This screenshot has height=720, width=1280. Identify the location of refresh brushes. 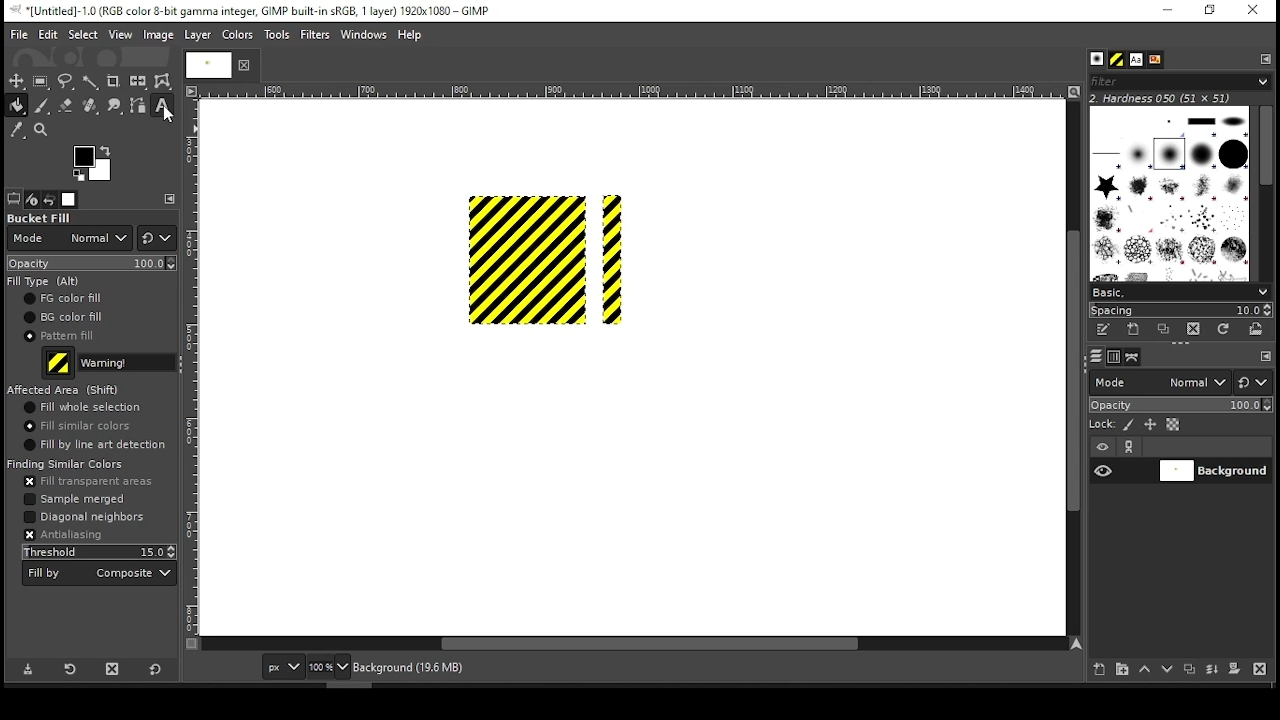
(1222, 331).